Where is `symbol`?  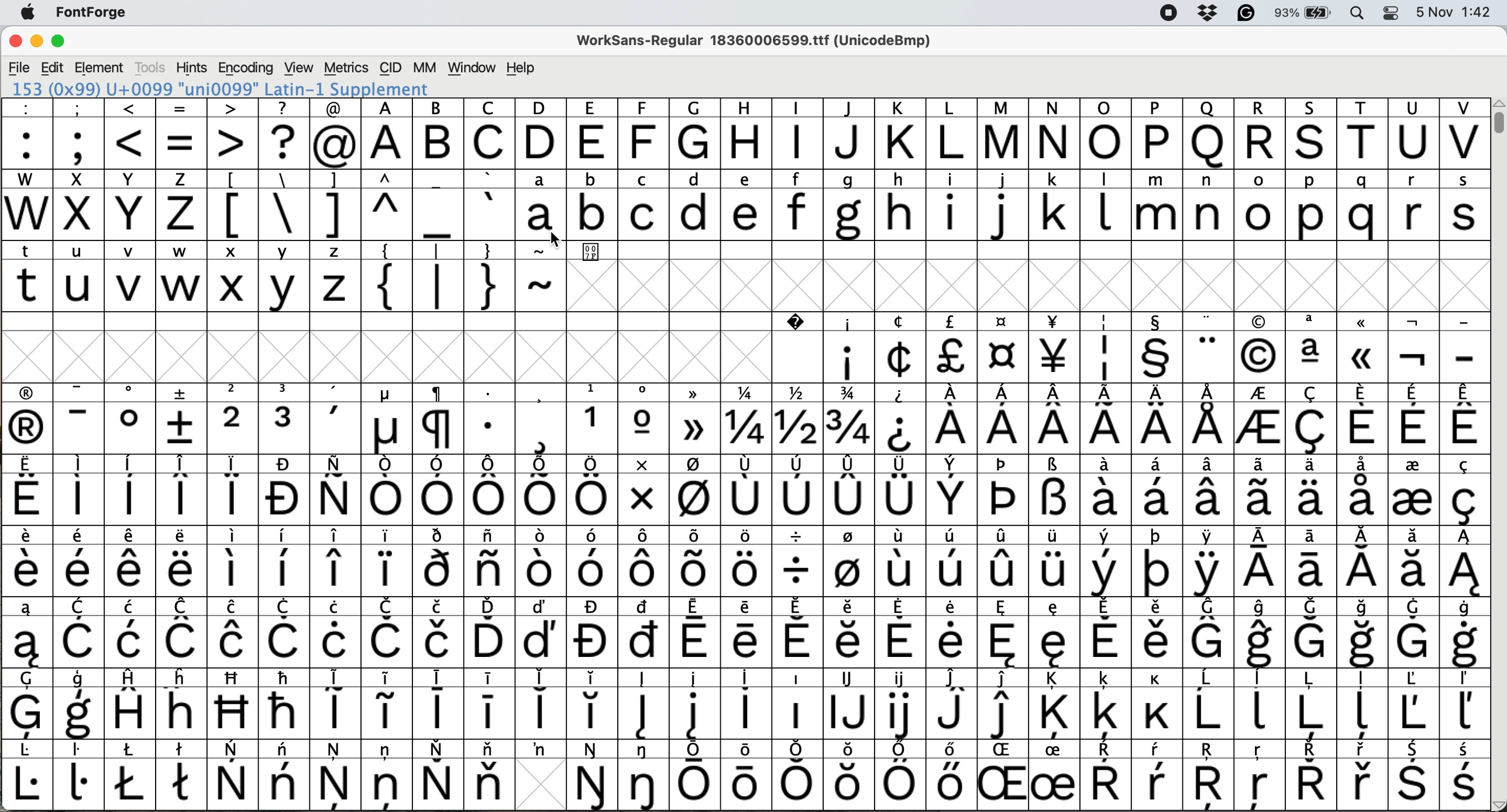
symbol is located at coordinates (797, 703).